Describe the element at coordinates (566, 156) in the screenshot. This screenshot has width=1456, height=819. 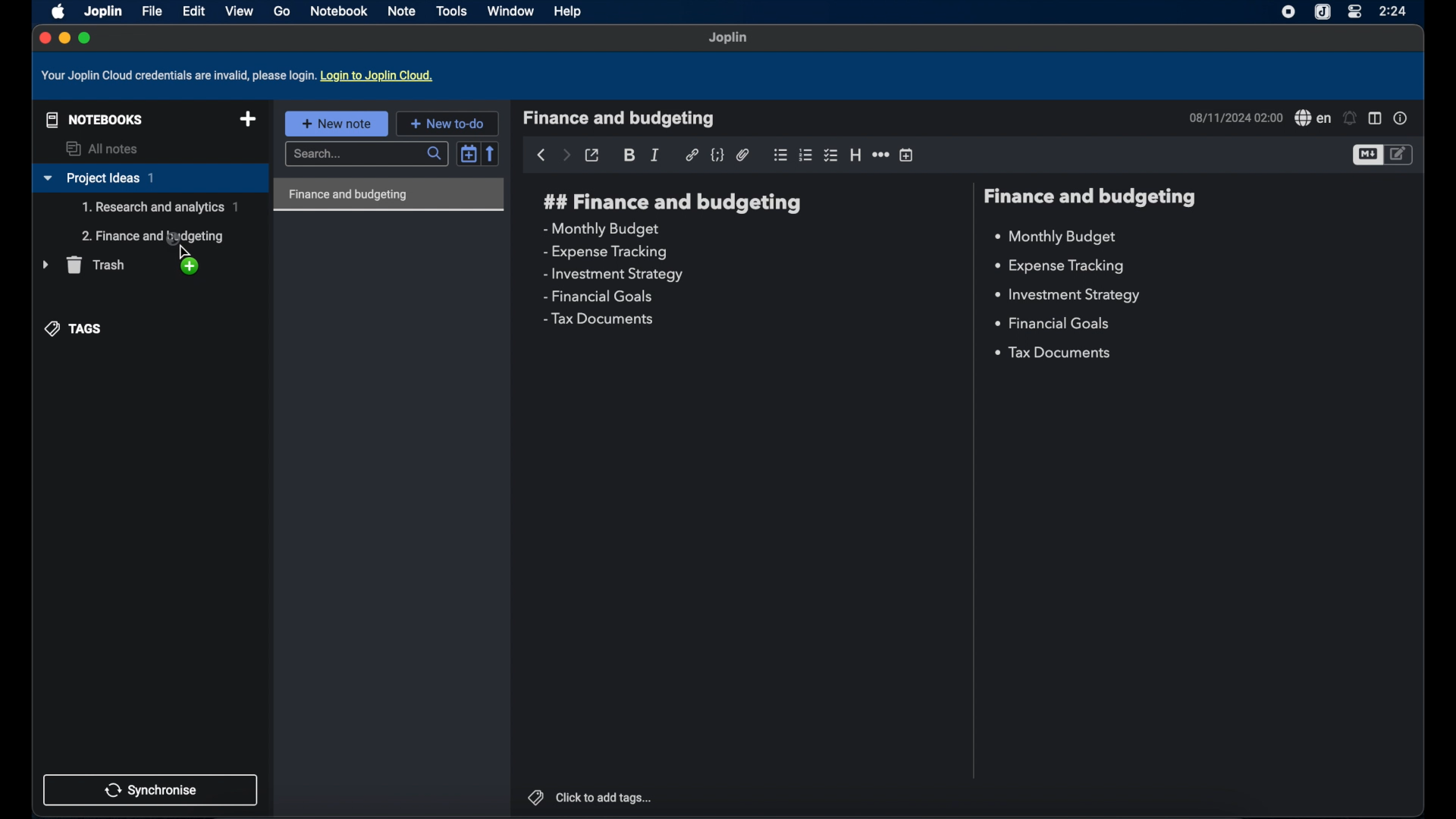
I see `forward` at that location.